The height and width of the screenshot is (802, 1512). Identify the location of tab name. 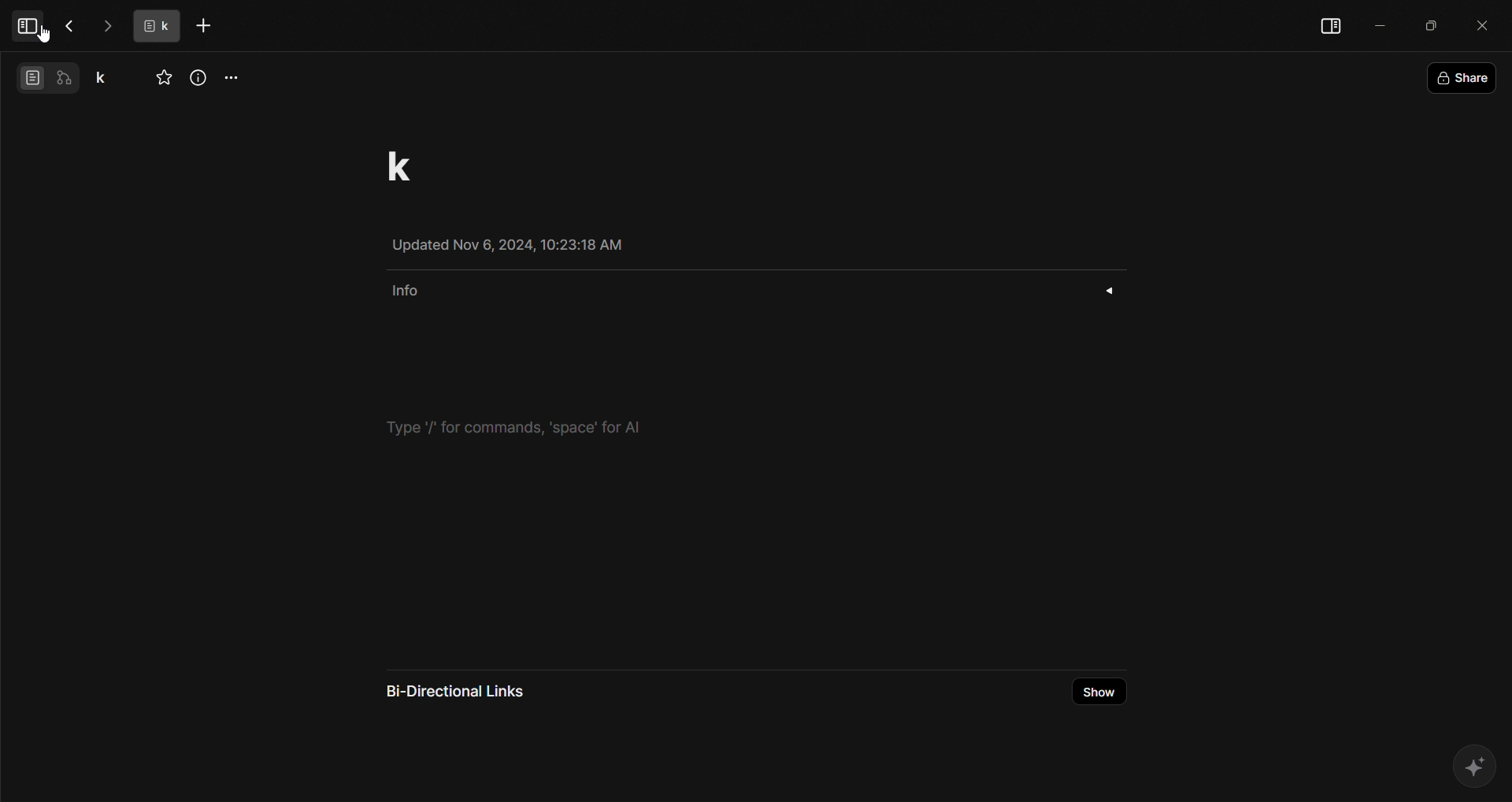
(159, 24).